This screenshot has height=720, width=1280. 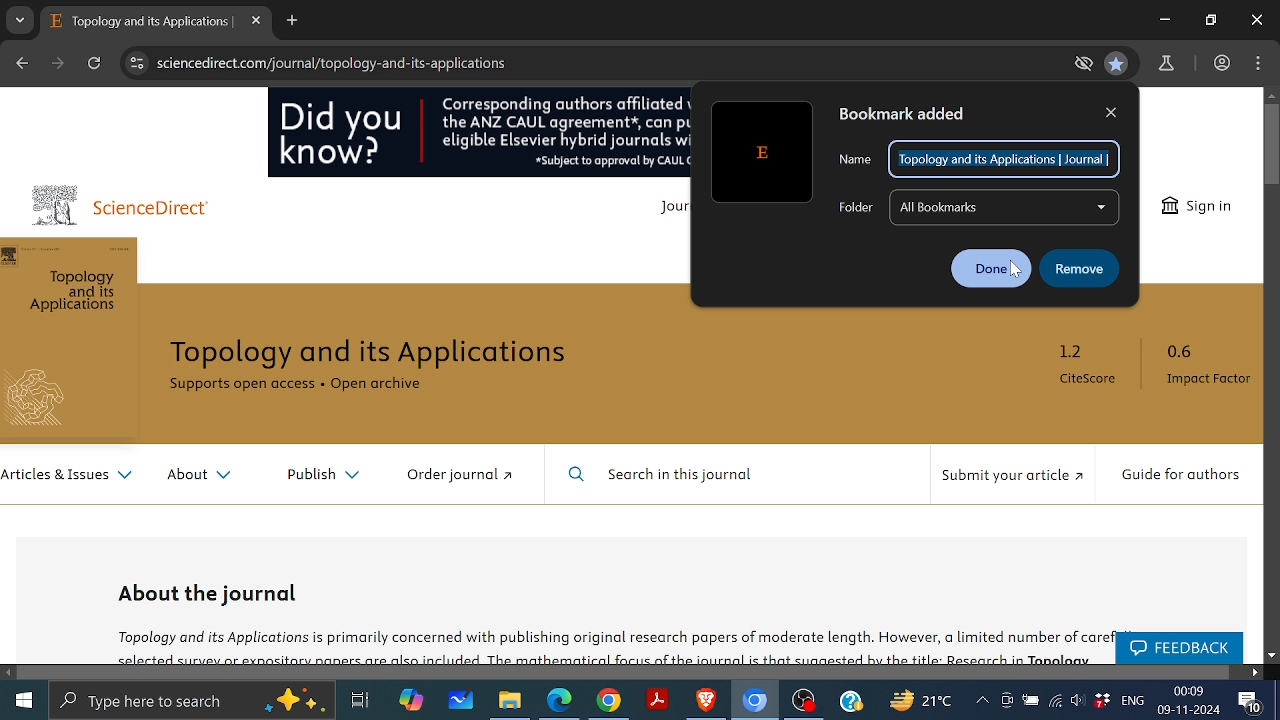 I want to click on Corresponding authors affiliated with institutions in

the ANZ CAUL agreement, can publish open access in

eligible Elsevier hybrid journals without paying an APC
“Subject to approval by CAUL Consortium agreement partner, so click(x=563, y=133).